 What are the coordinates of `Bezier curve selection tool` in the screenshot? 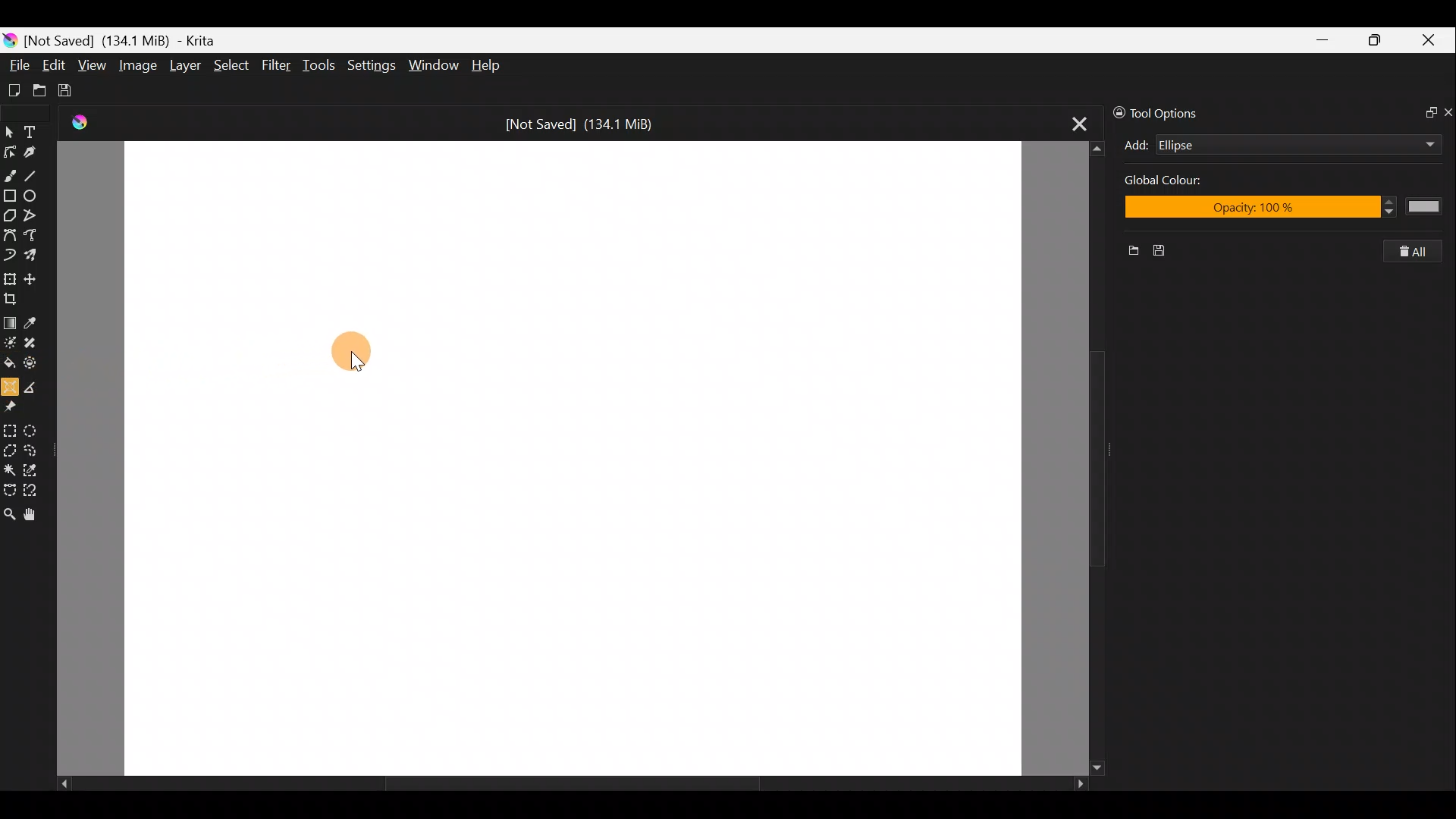 It's located at (9, 491).